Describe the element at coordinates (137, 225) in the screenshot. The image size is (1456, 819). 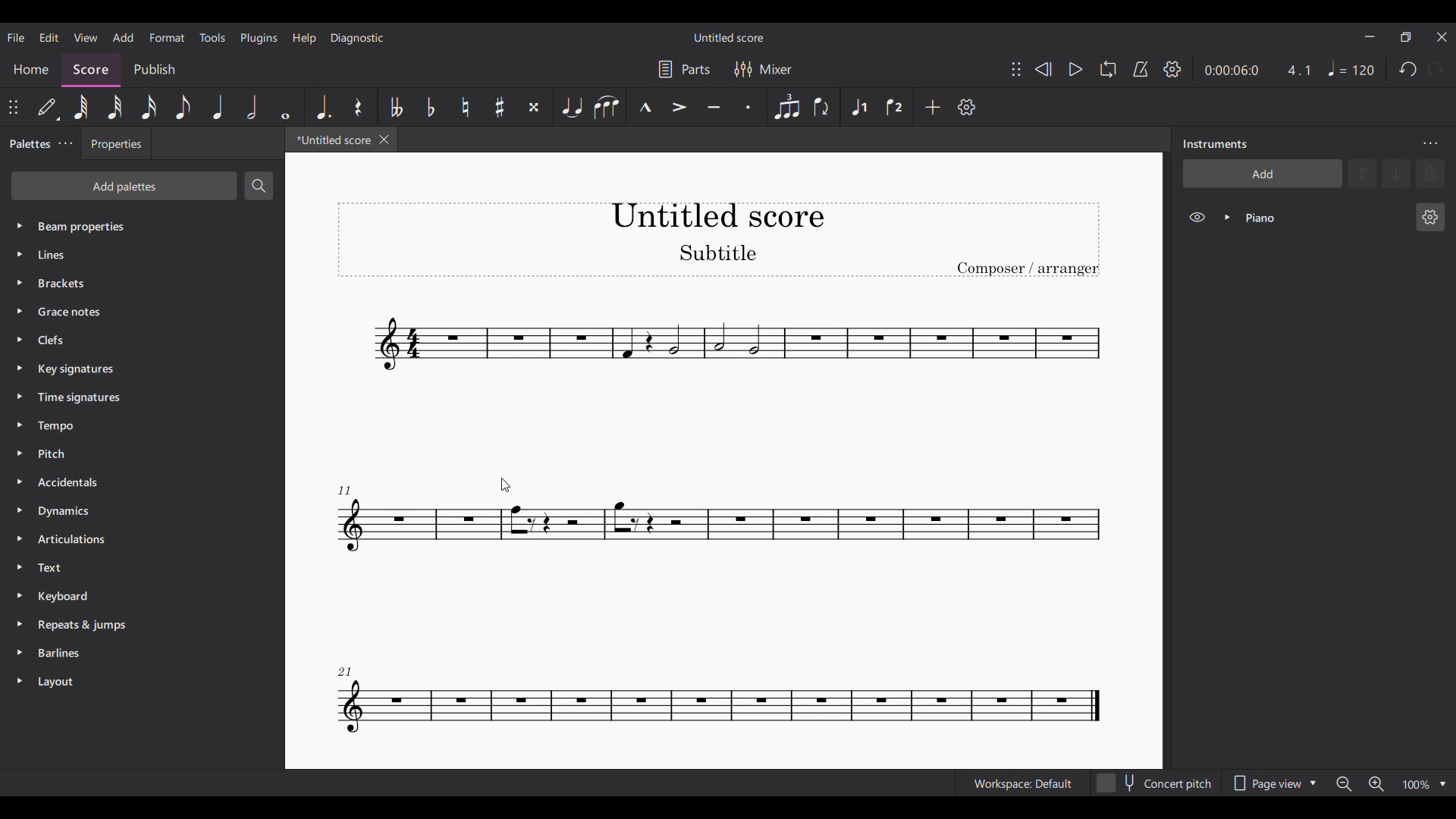
I see `Beam properties` at that location.